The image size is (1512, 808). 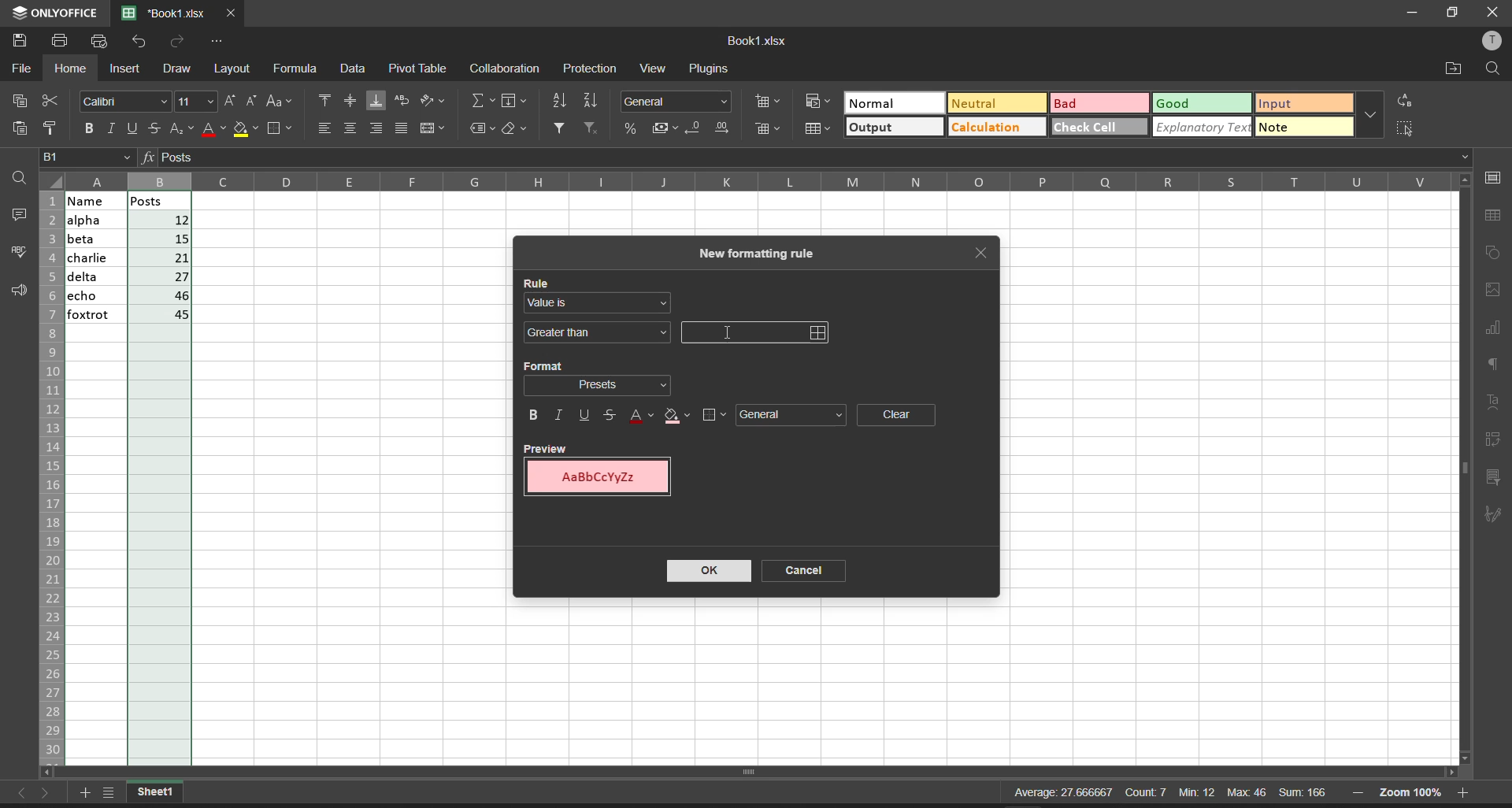 I want to click on posts, so click(x=157, y=467).